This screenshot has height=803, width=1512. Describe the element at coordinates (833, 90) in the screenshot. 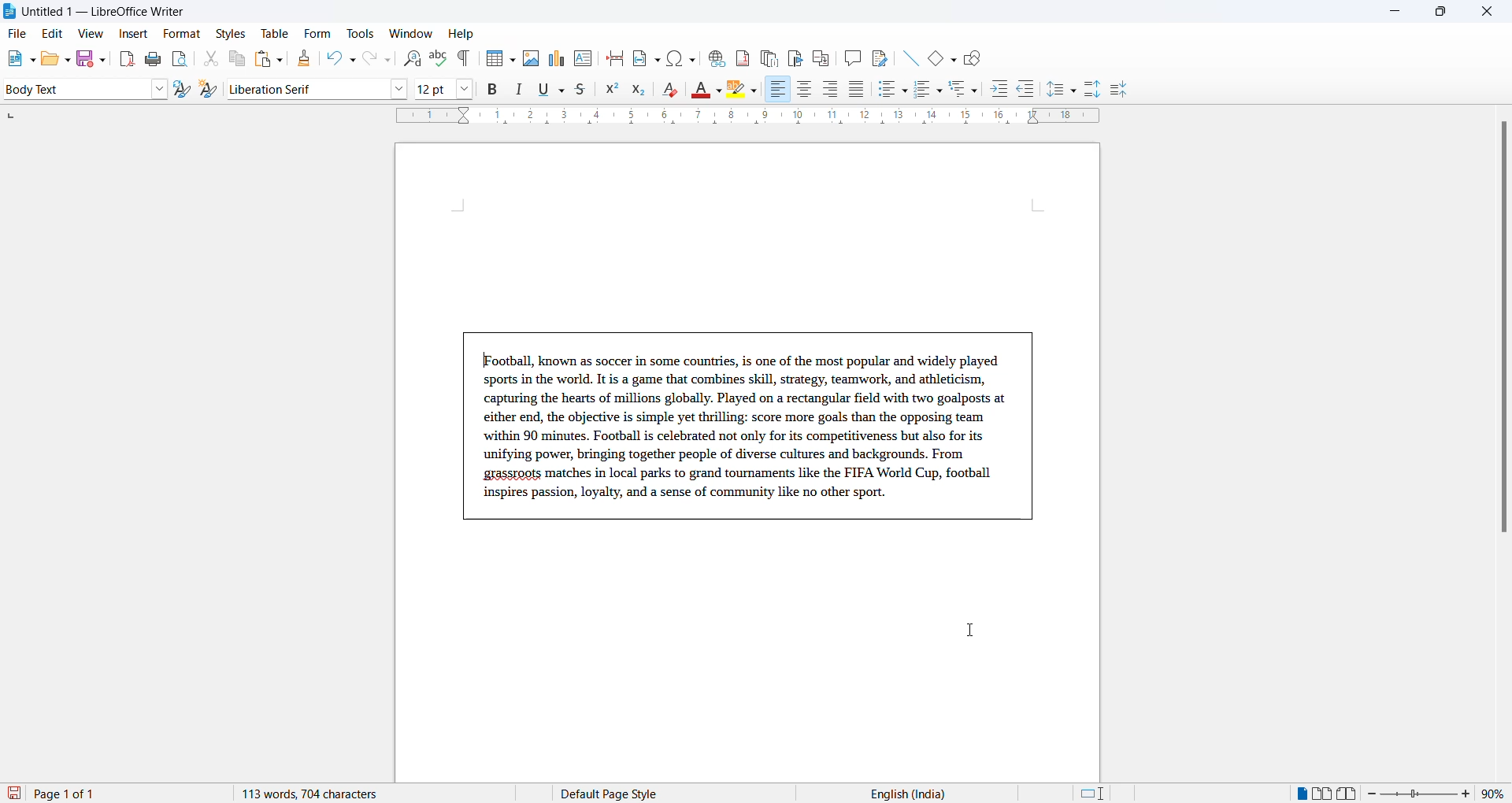

I see `text align right` at that location.